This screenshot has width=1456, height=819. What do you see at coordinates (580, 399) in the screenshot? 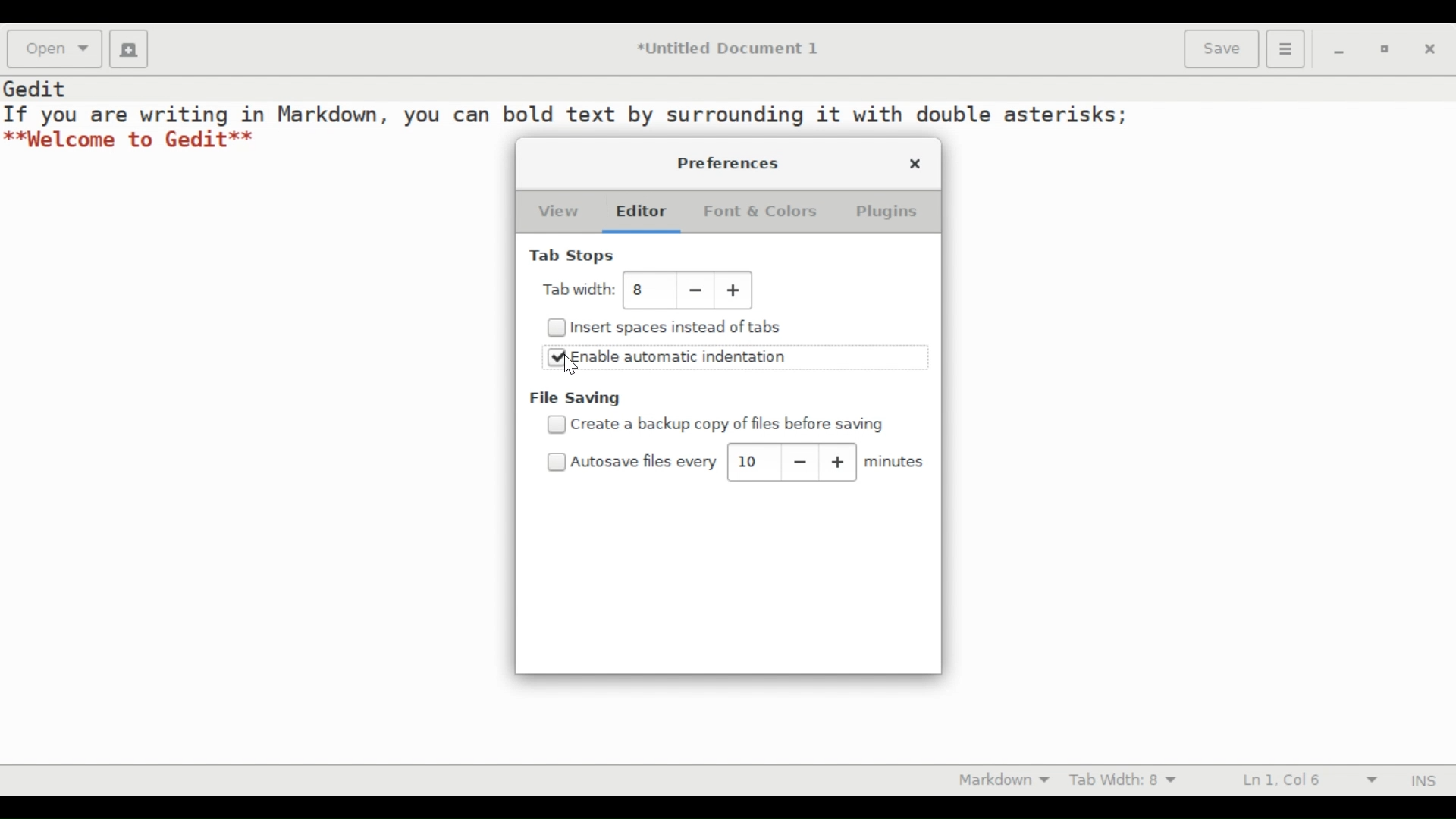
I see `File saving` at bounding box center [580, 399].